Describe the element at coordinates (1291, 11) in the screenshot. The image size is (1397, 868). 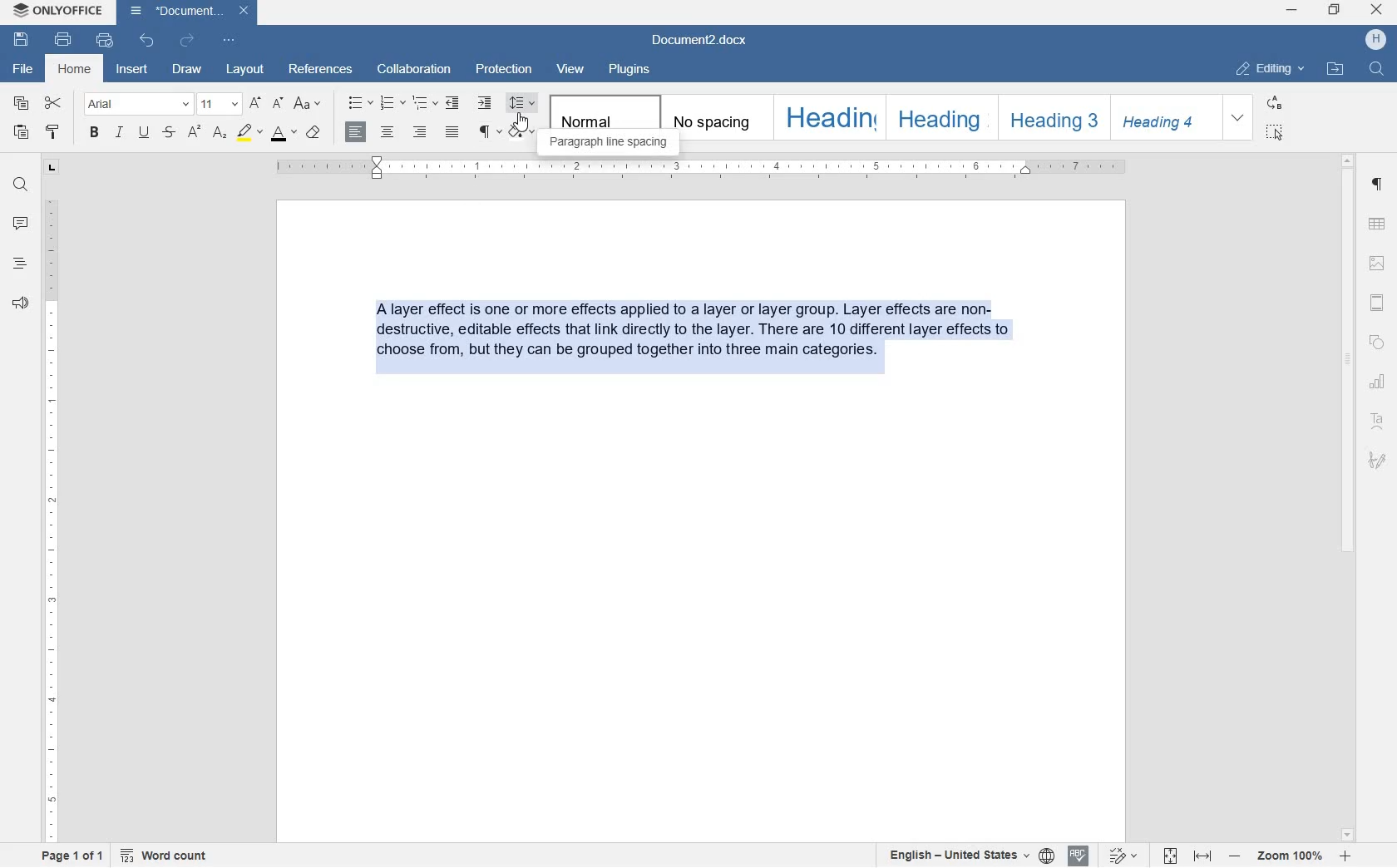
I see `minimize` at that location.